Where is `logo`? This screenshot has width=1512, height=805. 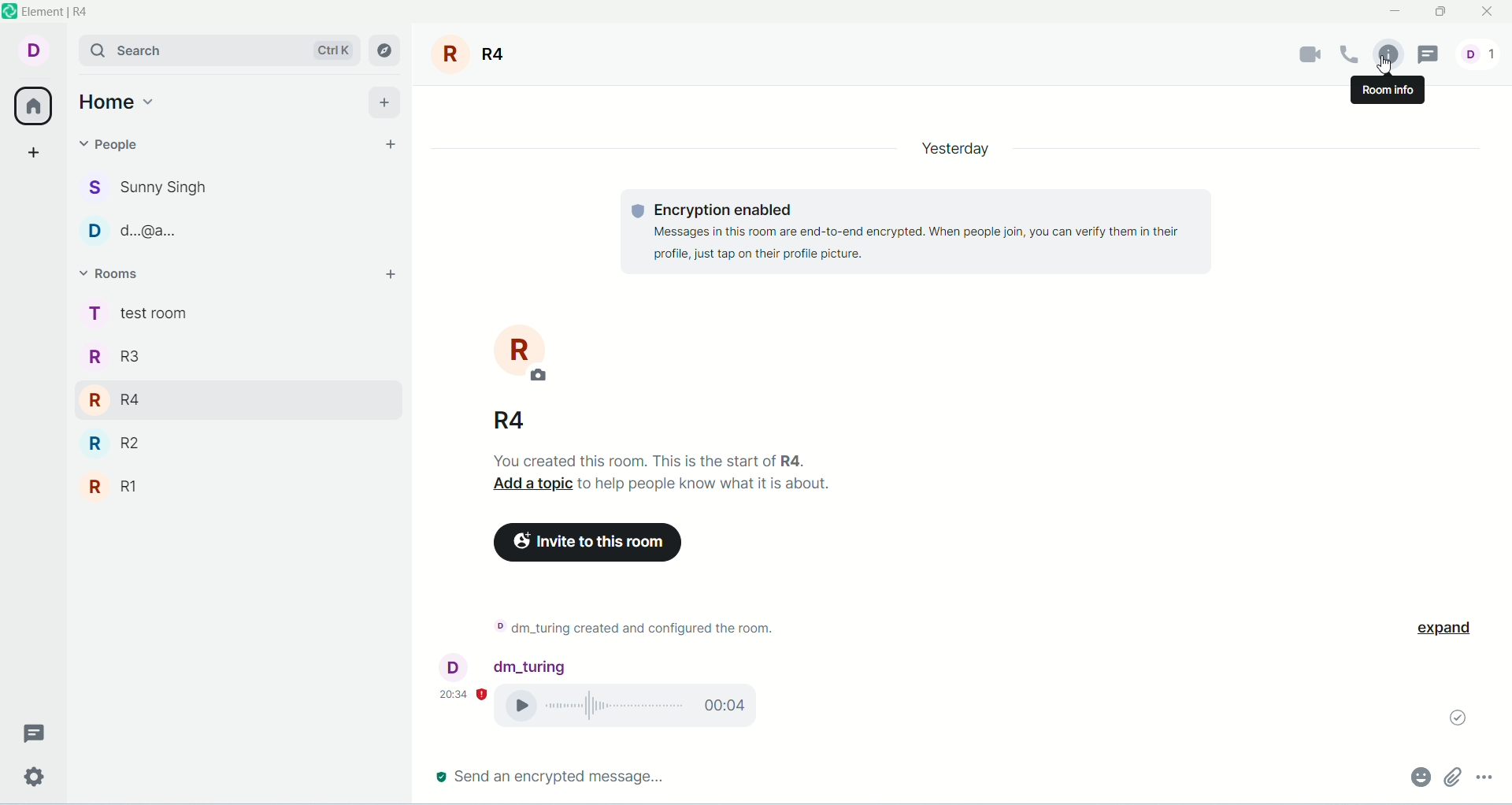
logo is located at coordinates (9, 11).